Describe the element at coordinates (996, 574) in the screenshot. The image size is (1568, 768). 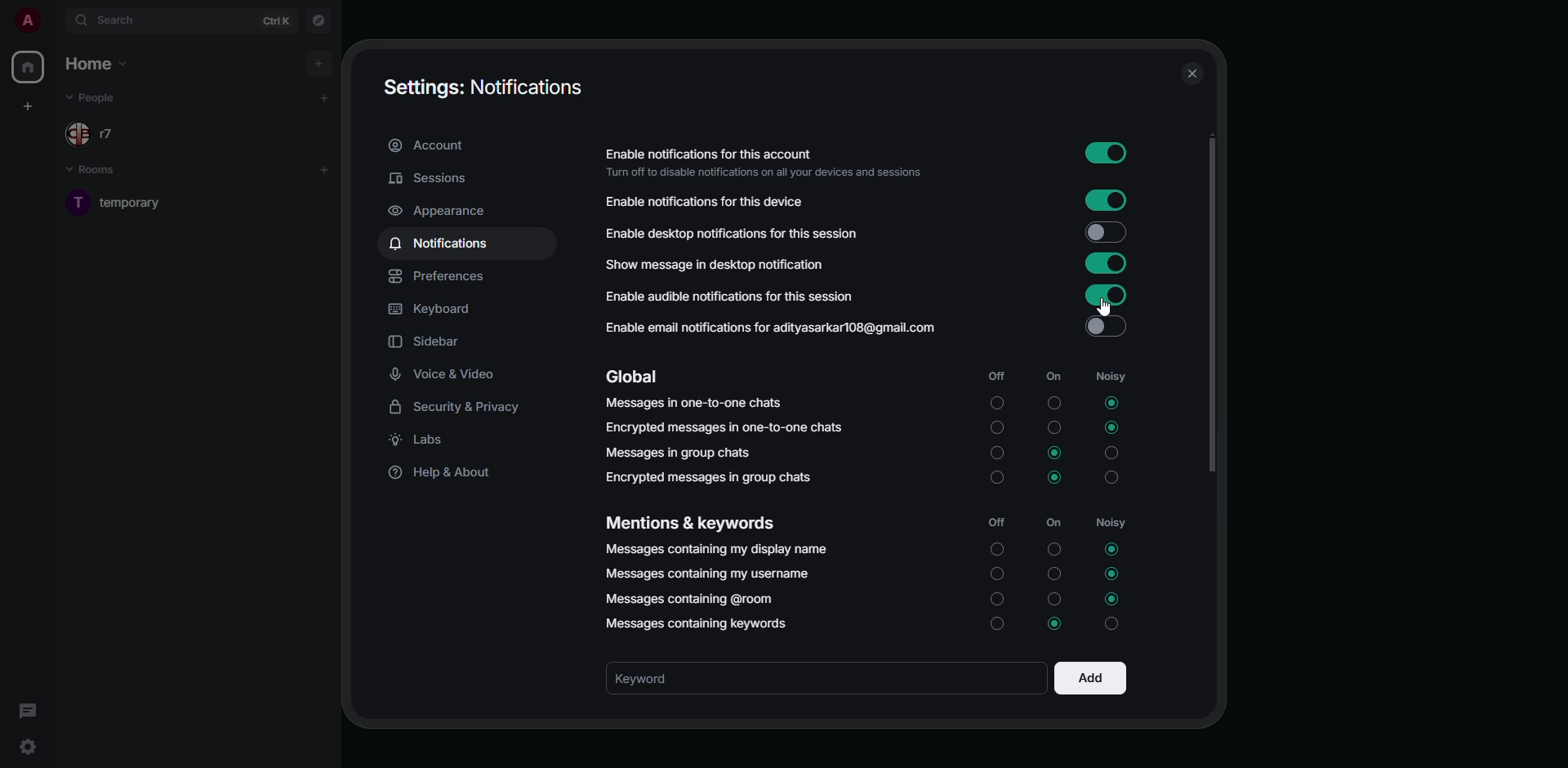
I see `off` at that location.